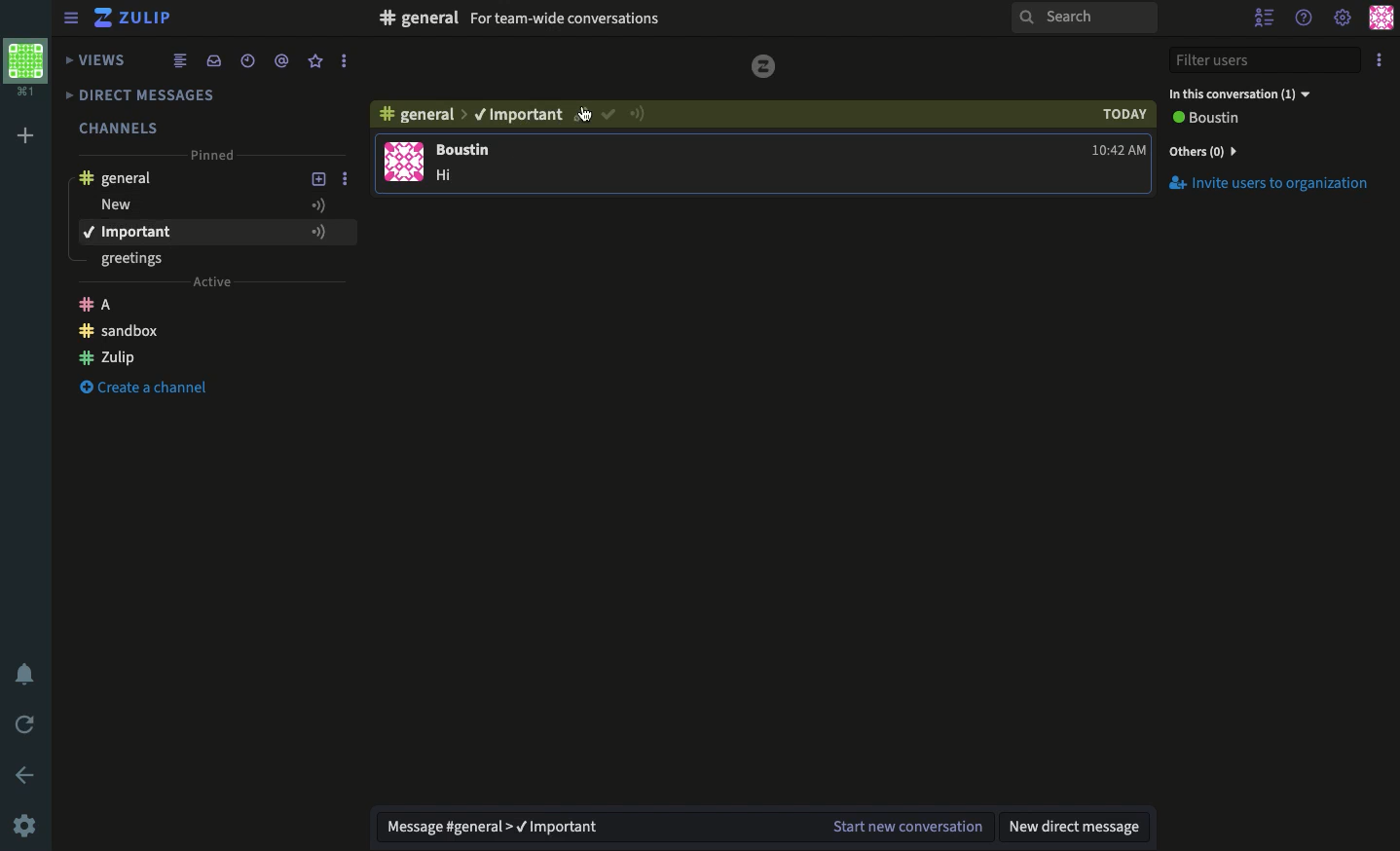 The image size is (1400, 851). What do you see at coordinates (182, 59) in the screenshot?
I see `Feed` at bounding box center [182, 59].